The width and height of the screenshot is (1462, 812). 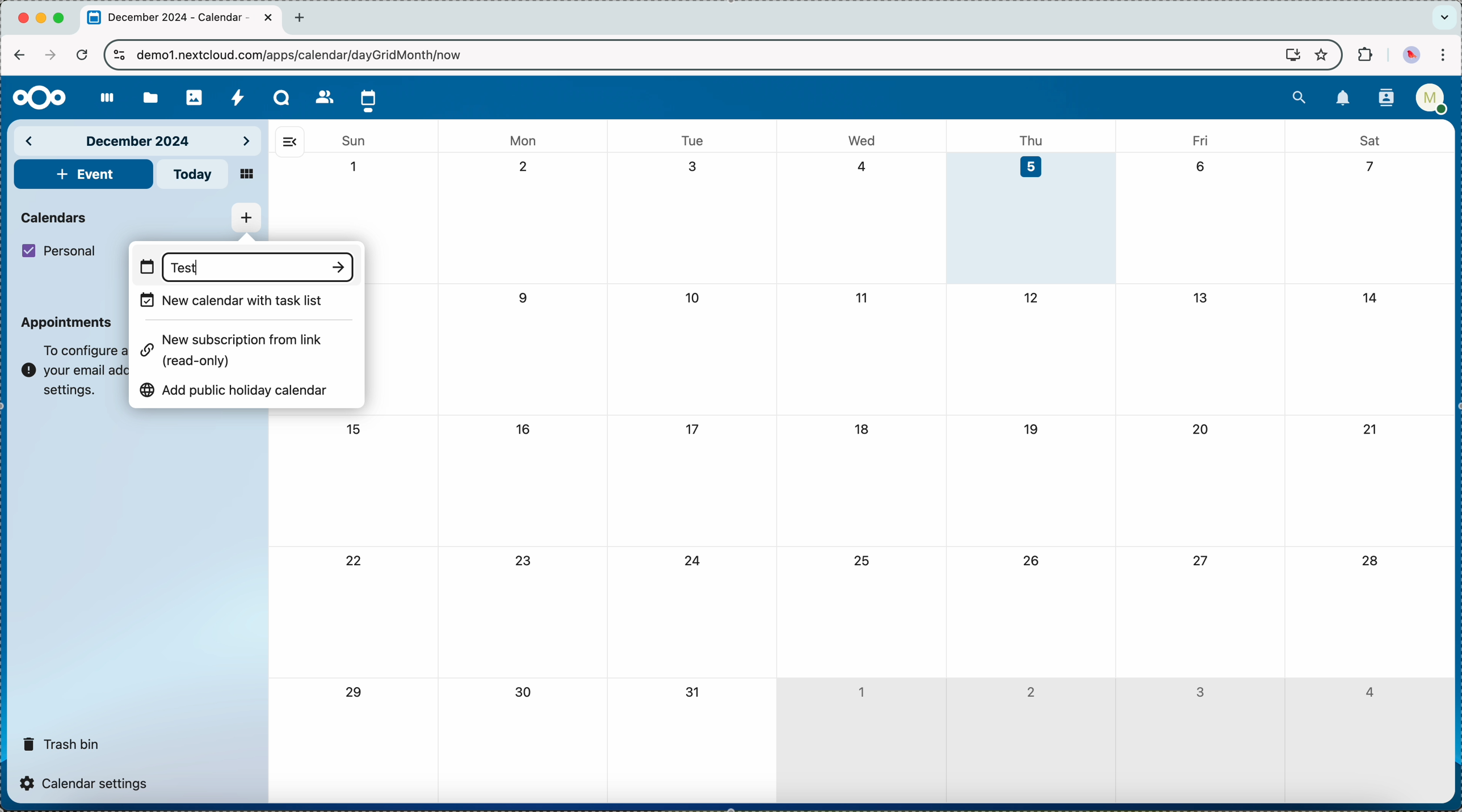 I want to click on 31, so click(x=694, y=693).